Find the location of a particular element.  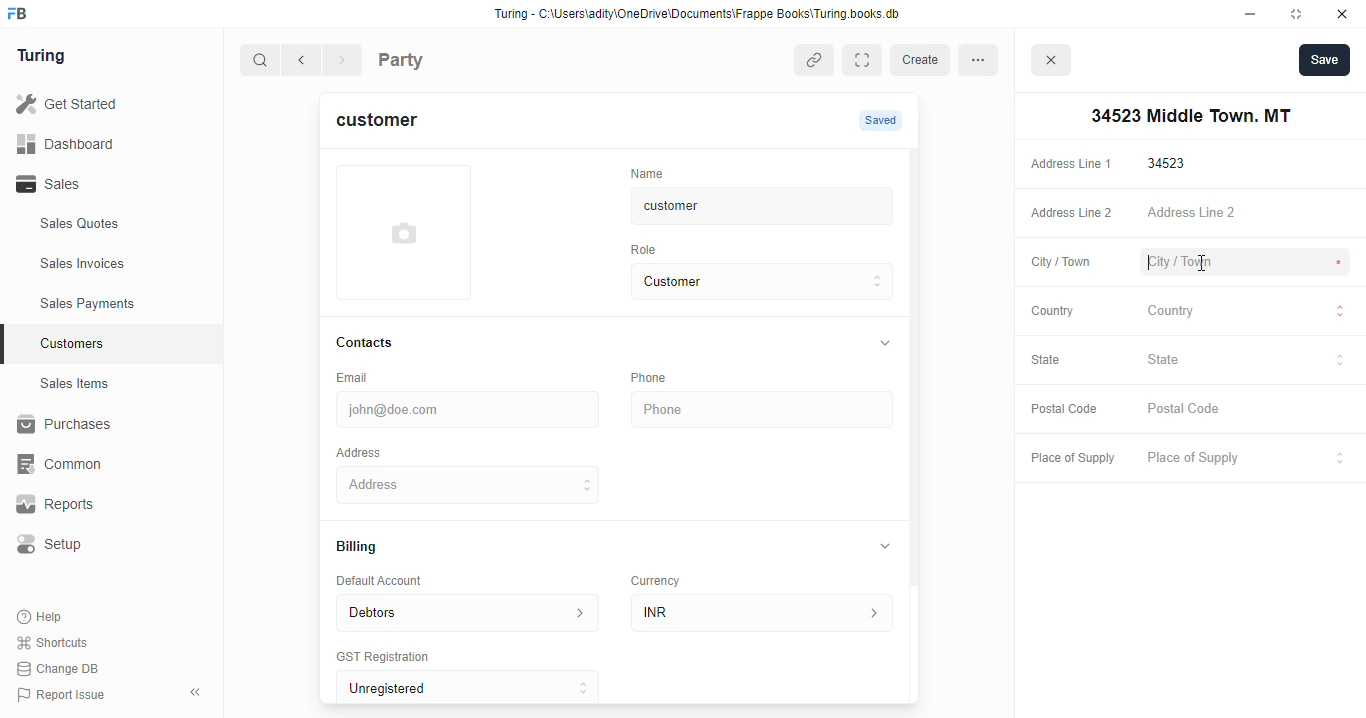

customer is located at coordinates (746, 206).